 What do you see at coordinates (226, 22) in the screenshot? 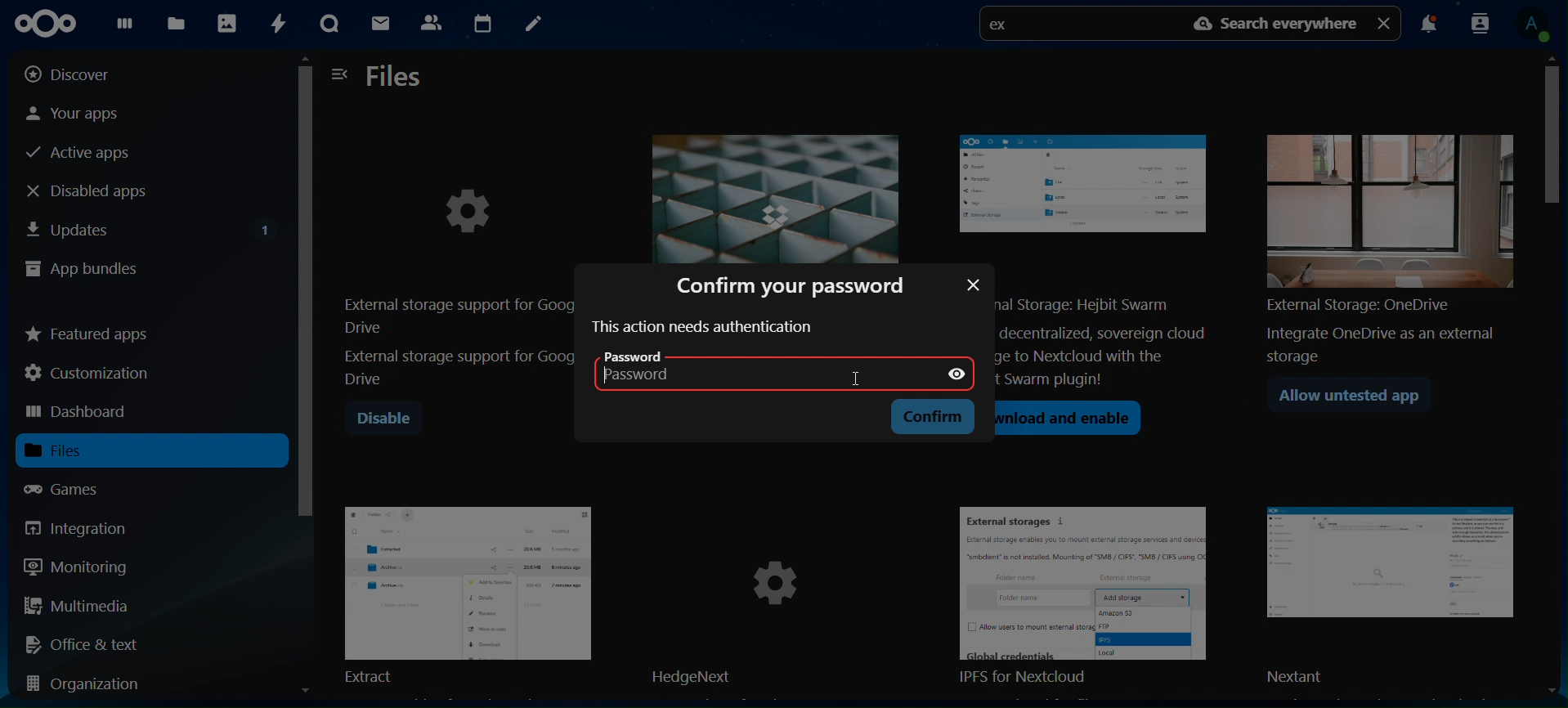
I see `photos` at bounding box center [226, 22].